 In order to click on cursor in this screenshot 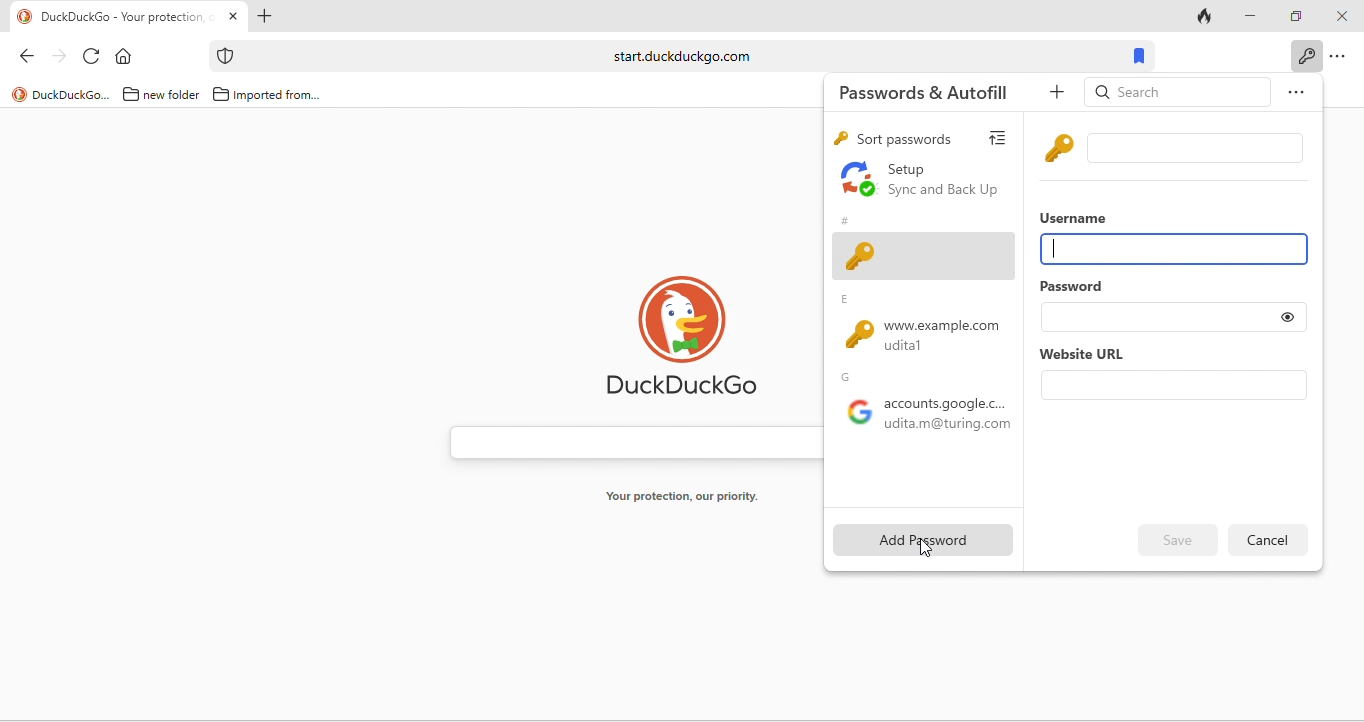, I will do `click(925, 551)`.